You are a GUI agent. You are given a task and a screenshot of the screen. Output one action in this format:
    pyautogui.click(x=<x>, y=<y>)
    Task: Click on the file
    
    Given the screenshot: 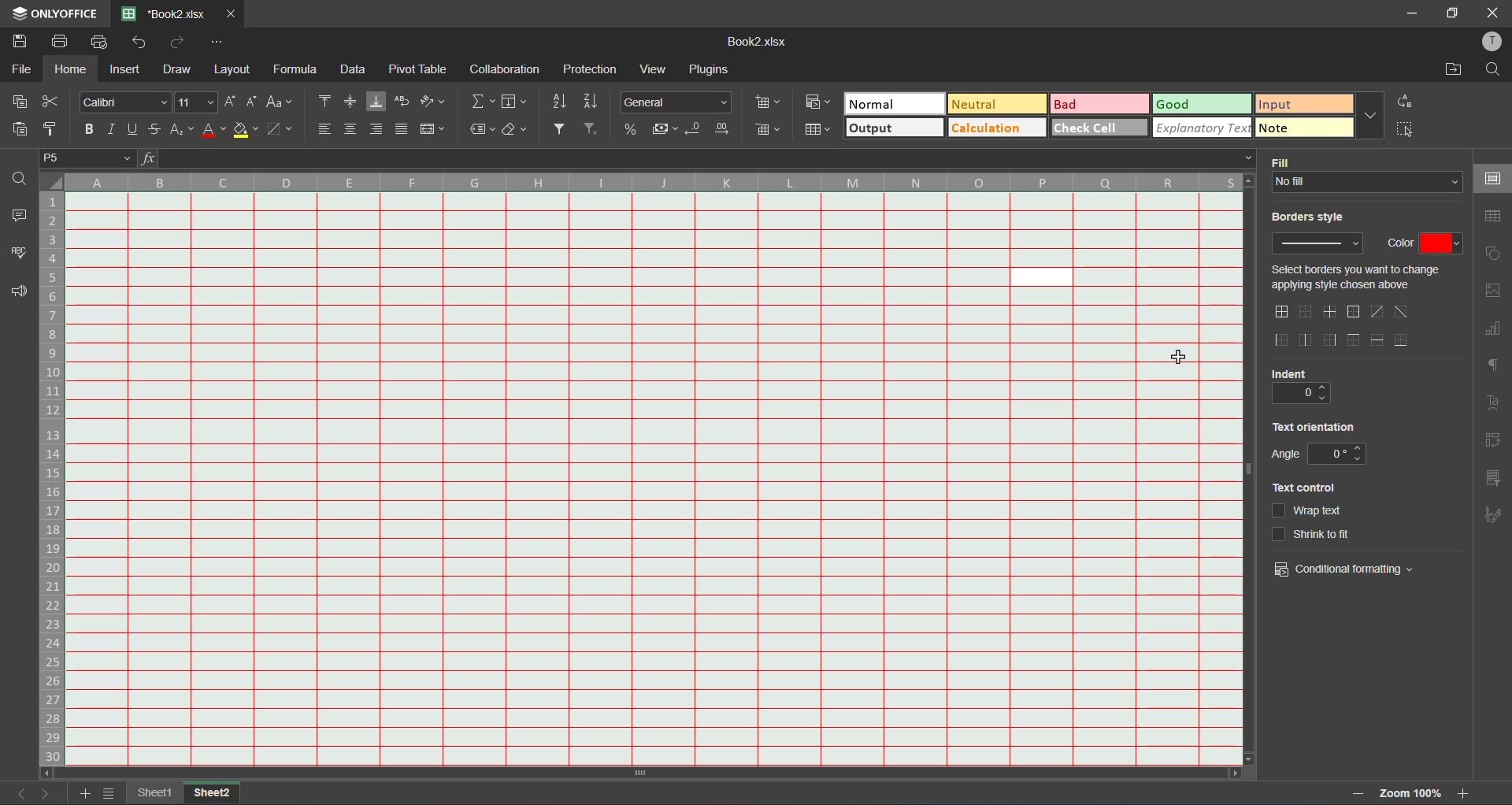 What is the action you would take?
    pyautogui.click(x=19, y=71)
    